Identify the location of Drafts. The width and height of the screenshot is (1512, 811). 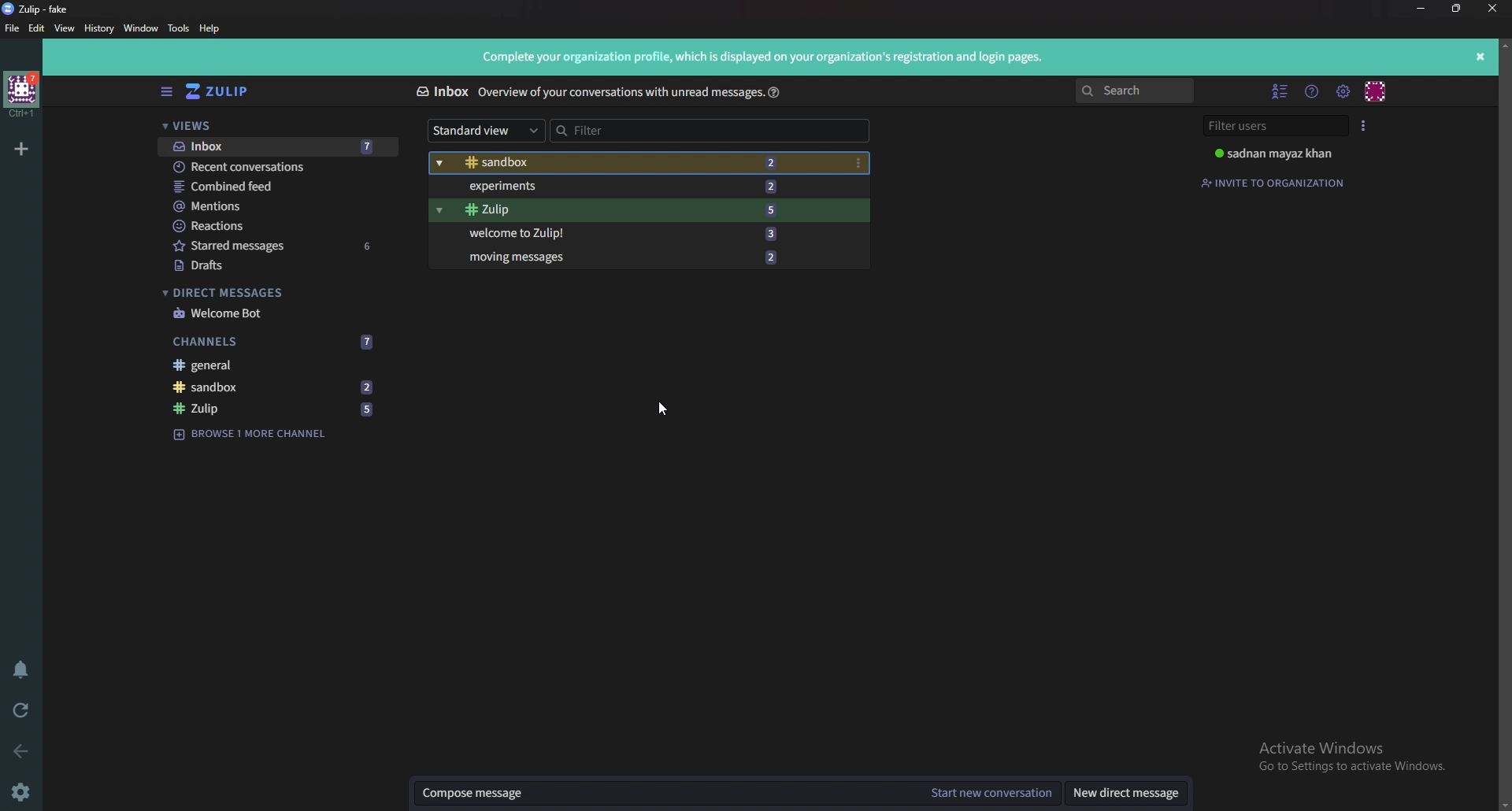
(281, 265).